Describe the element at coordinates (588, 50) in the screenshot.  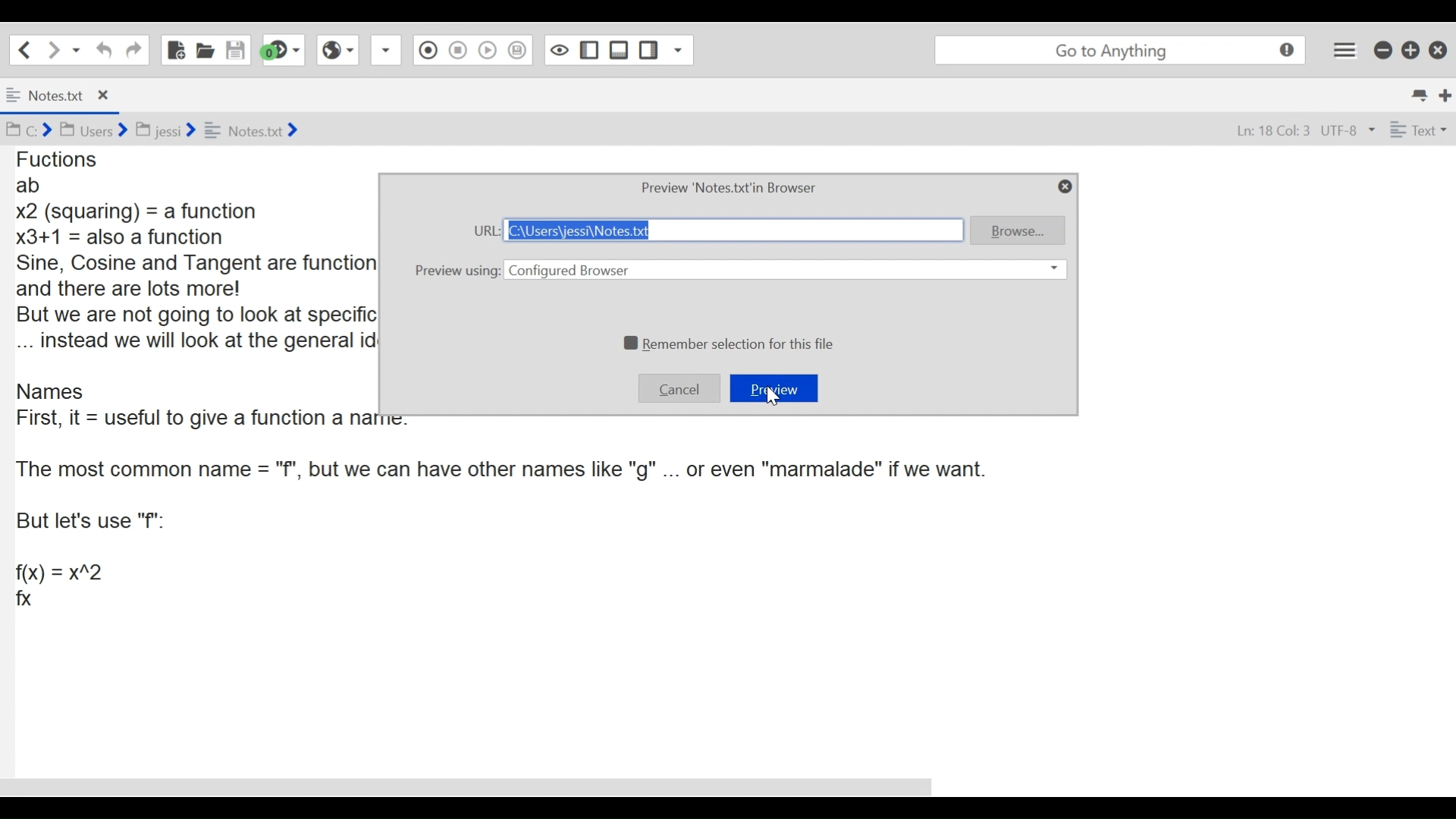
I see `Show/Hide left Pane` at that location.